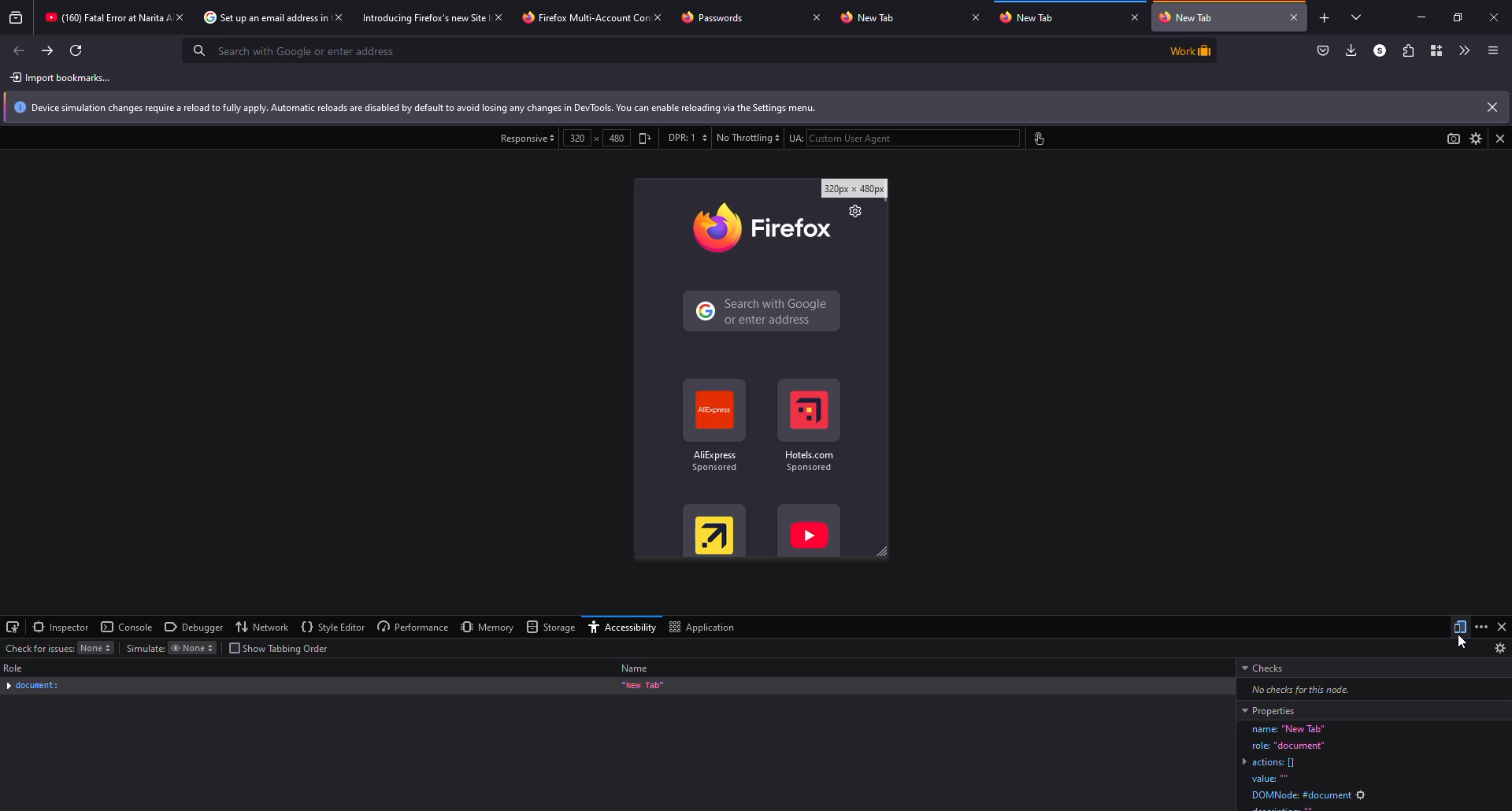 The image size is (1512, 811). I want to click on close, so click(181, 17).